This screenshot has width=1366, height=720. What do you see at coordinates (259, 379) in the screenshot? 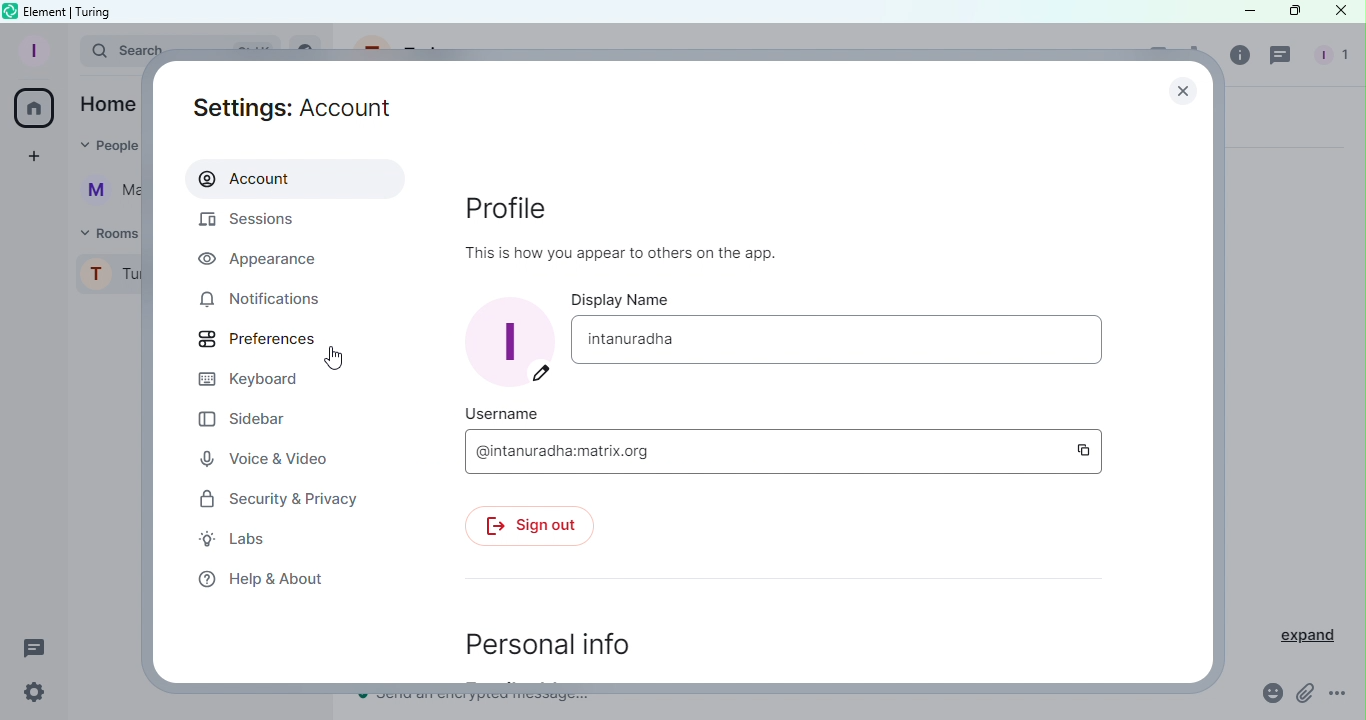
I see `Keyboard` at bounding box center [259, 379].